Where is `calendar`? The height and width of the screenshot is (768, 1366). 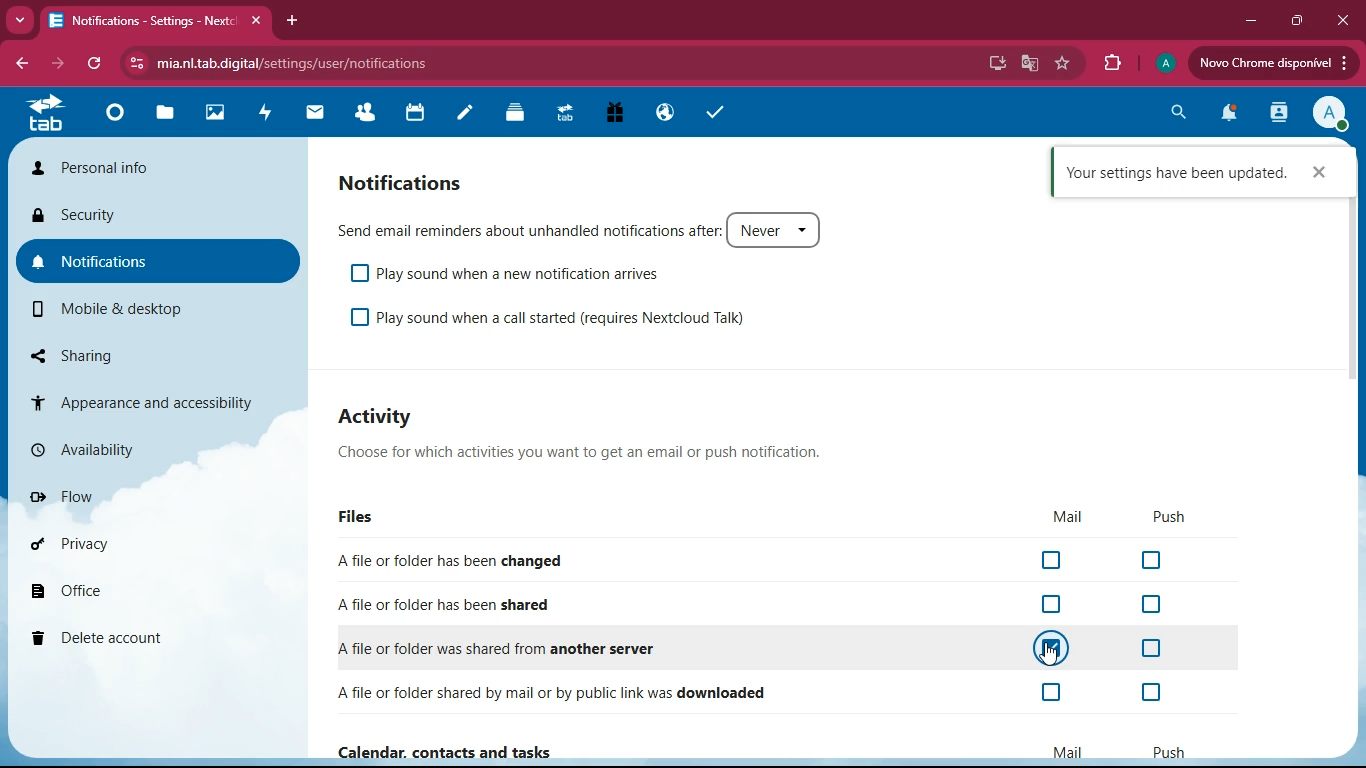
calendar is located at coordinates (409, 115).